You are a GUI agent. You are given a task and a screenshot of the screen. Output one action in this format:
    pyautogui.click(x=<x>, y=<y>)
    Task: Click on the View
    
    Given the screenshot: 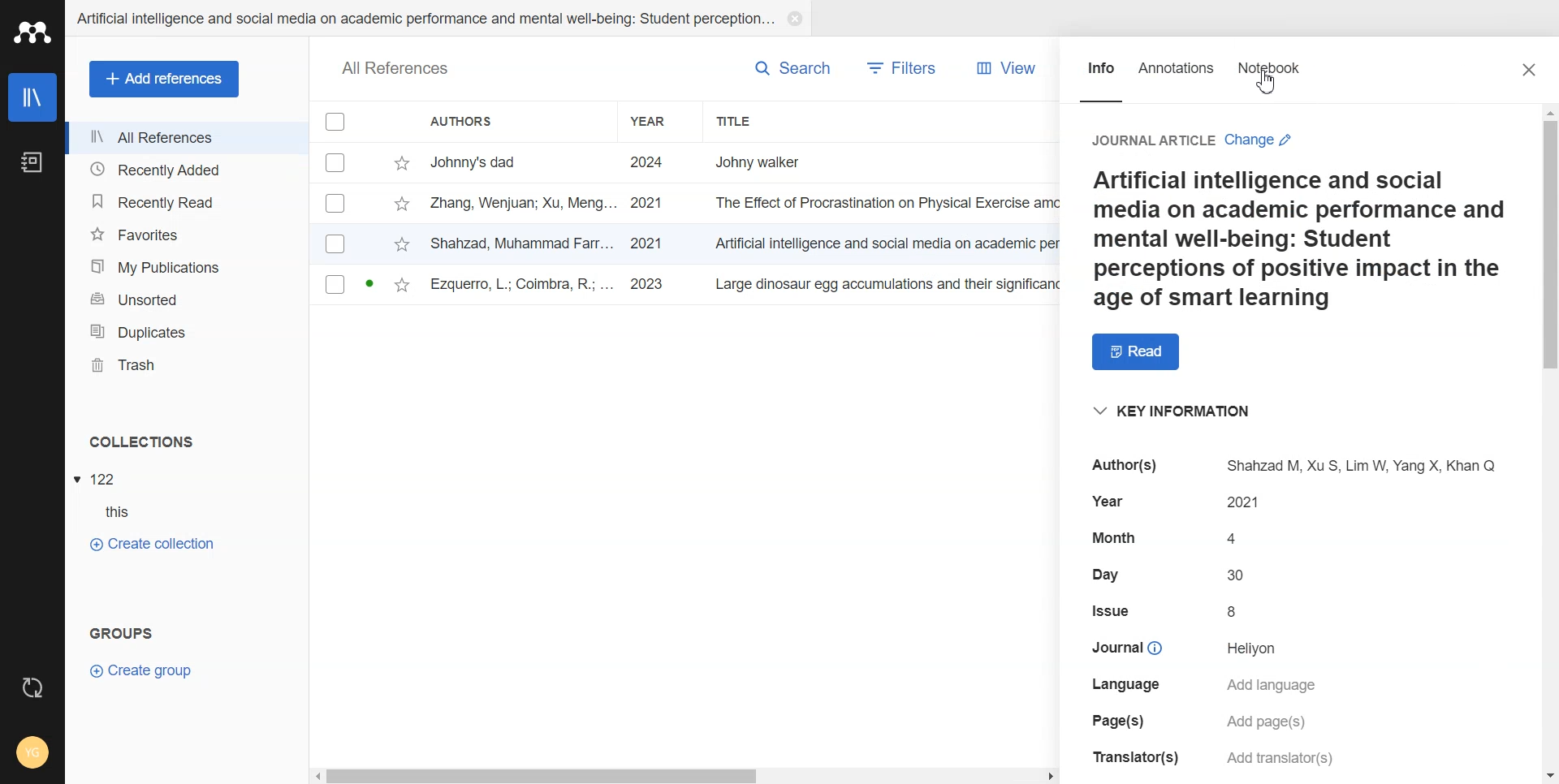 What is the action you would take?
    pyautogui.click(x=1001, y=68)
    